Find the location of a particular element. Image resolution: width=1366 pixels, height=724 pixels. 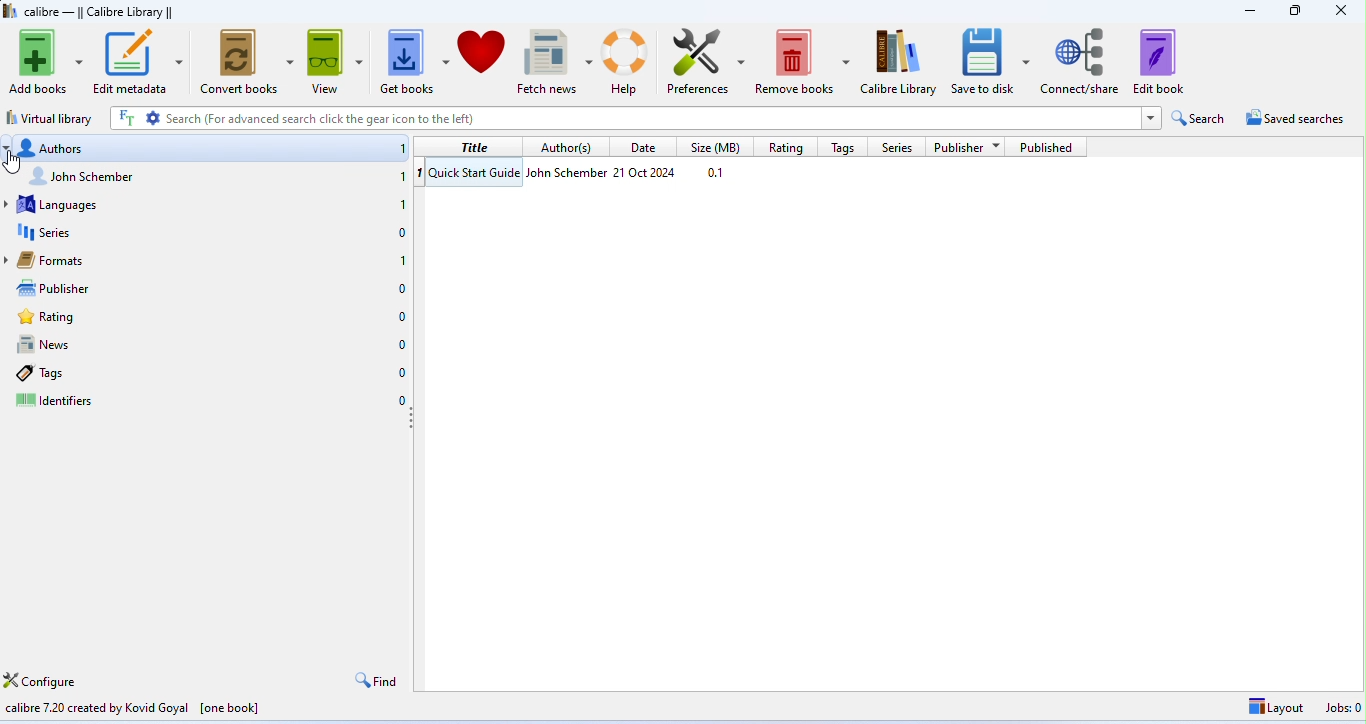

close is located at coordinates (1343, 12).